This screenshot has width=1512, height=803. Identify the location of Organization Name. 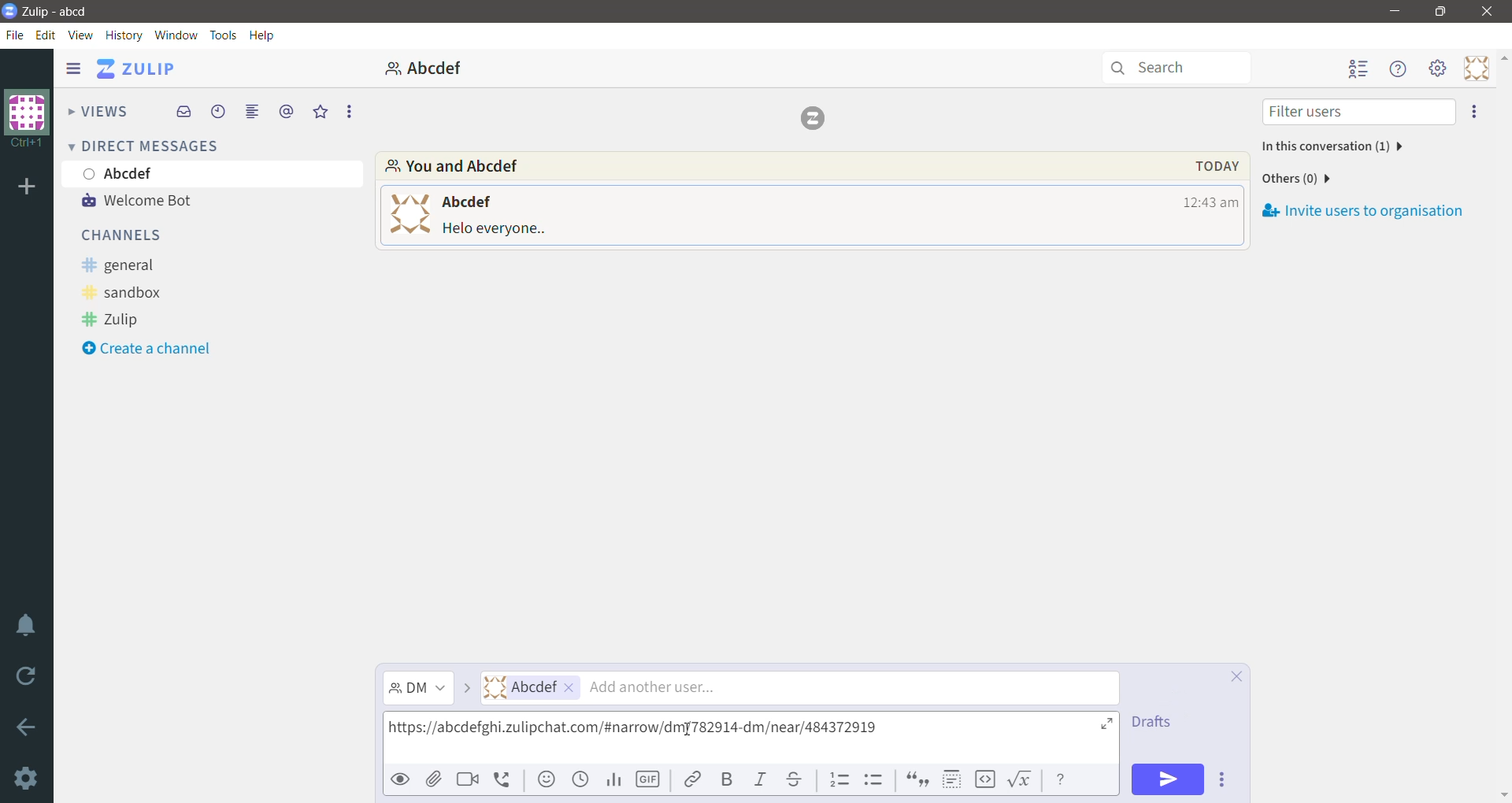
(28, 120).